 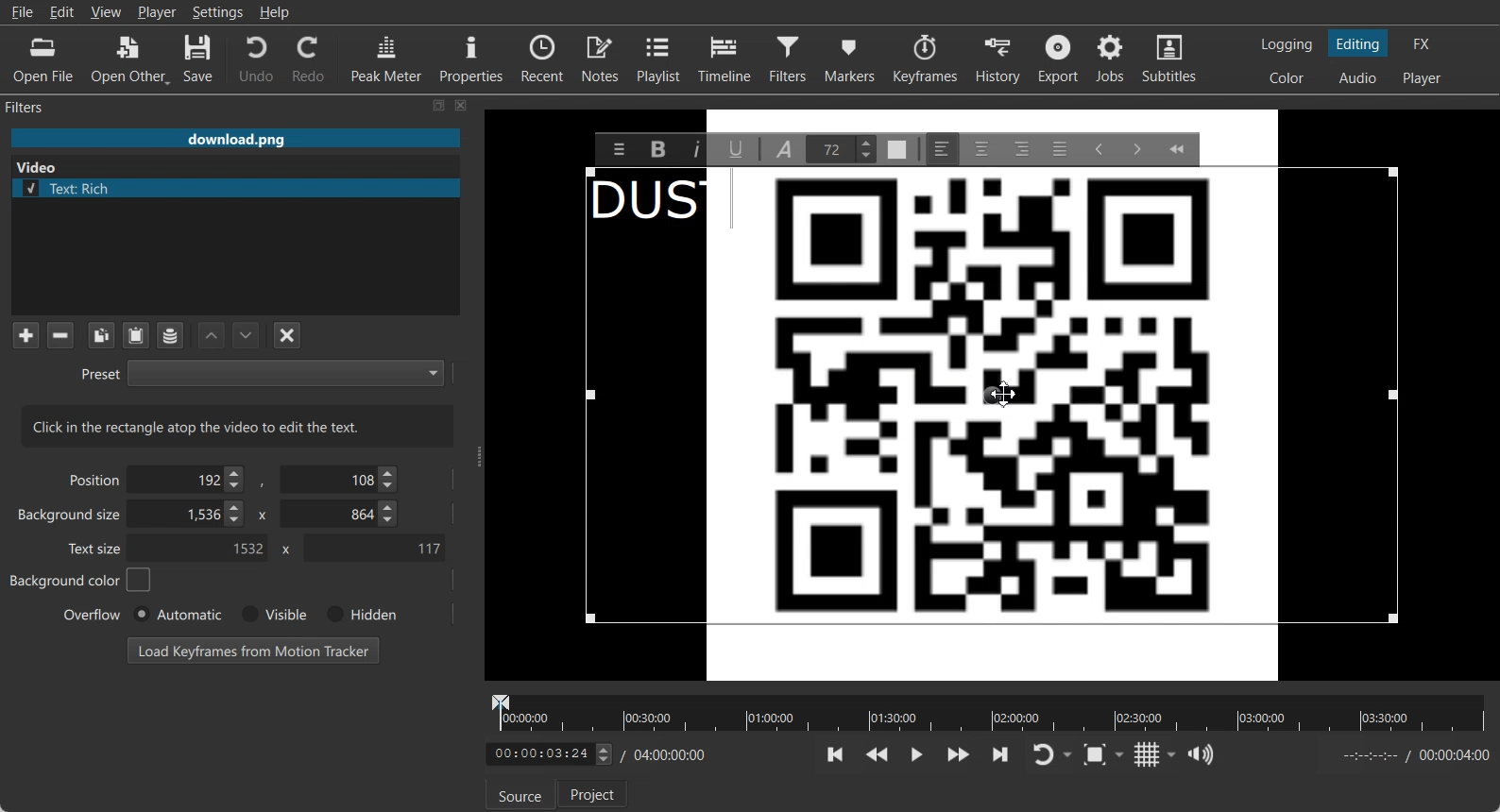 What do you see at coordinates (177, 614) in the screenshot?
I see `Automatic` at bounding box center [177, 614].